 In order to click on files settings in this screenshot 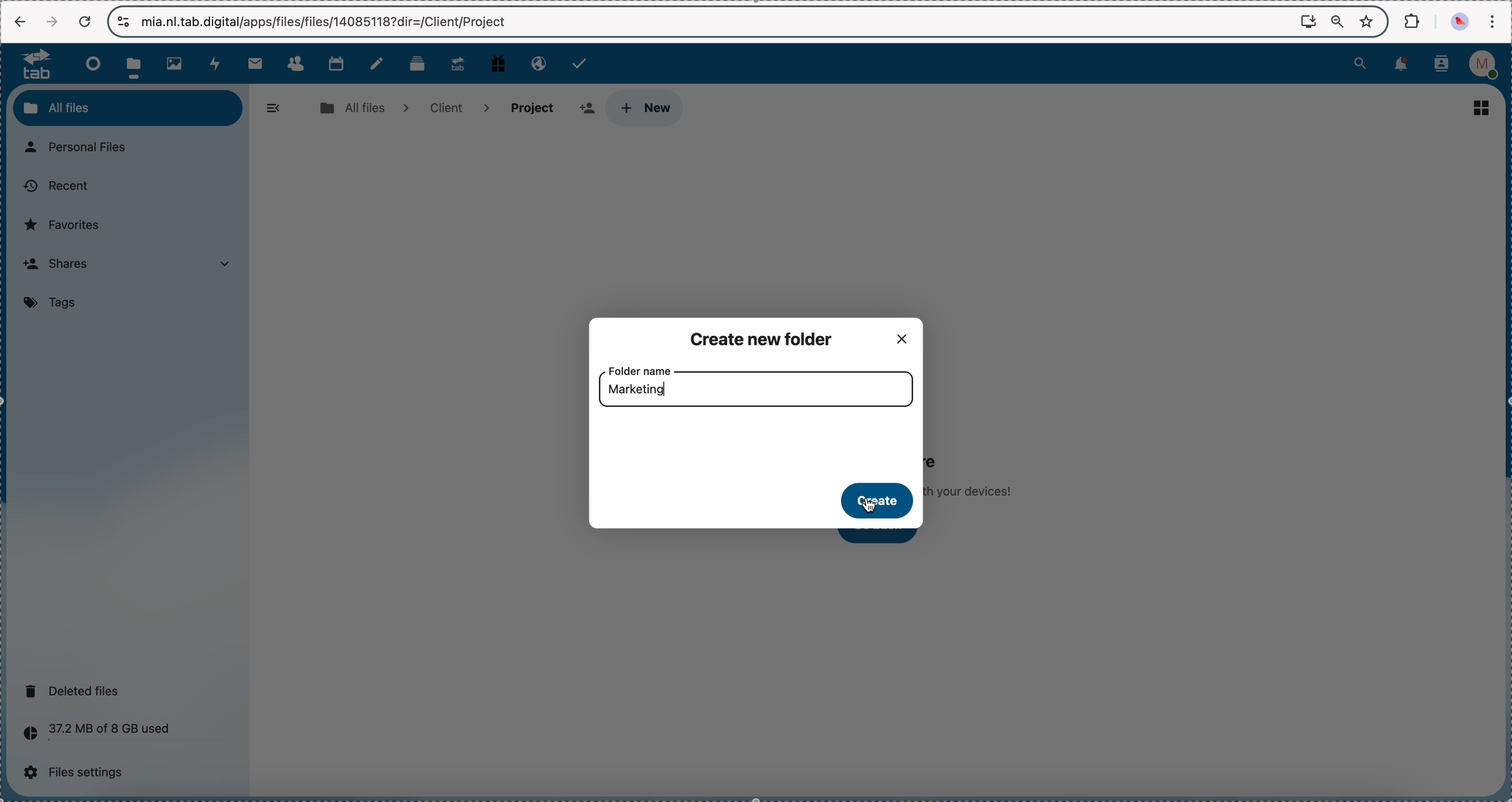, I will do `click(79, 773)`.